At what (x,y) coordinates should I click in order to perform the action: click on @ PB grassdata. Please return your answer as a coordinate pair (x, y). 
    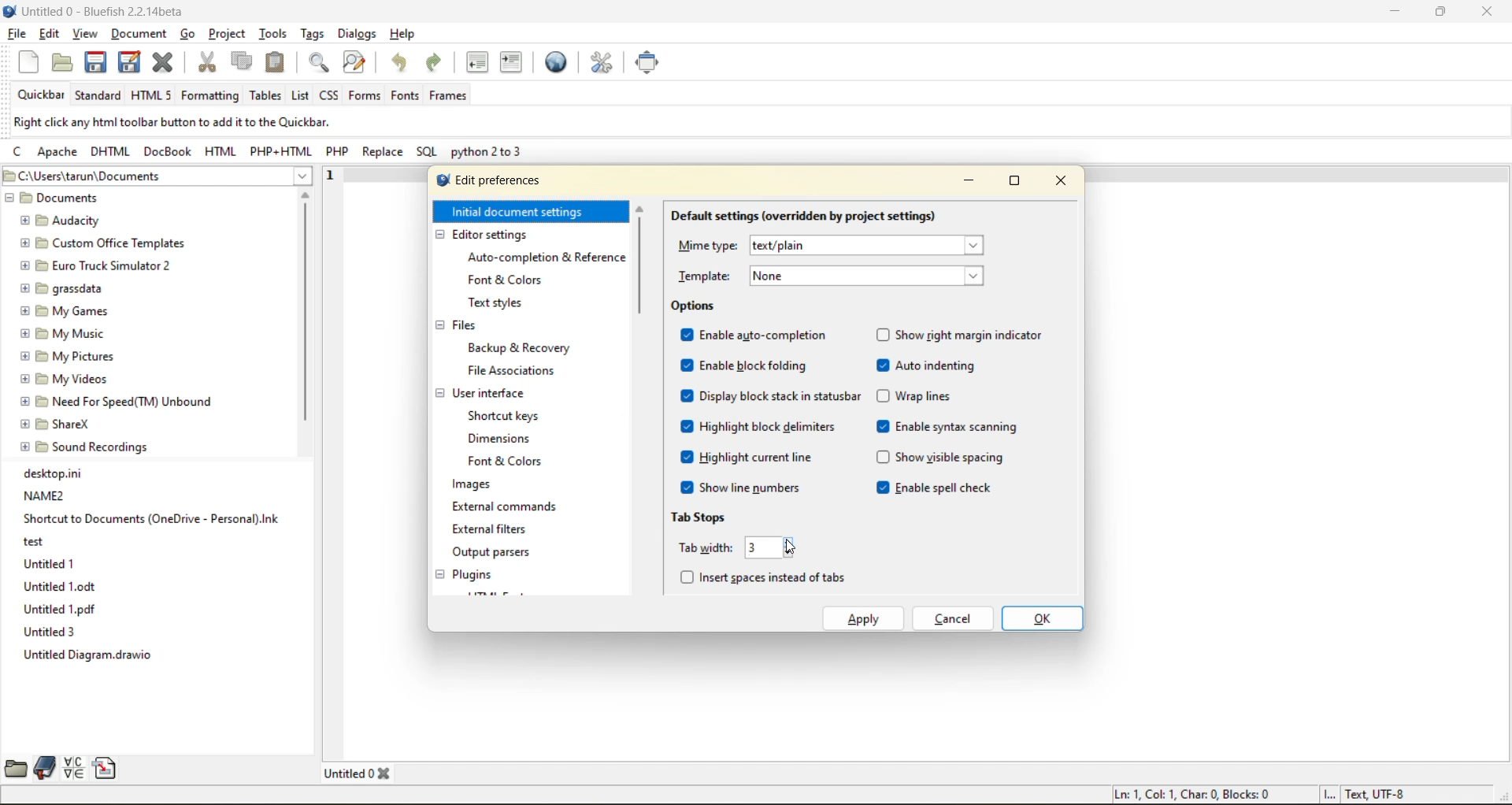
    Looking at the image, I should click on (61, 287).